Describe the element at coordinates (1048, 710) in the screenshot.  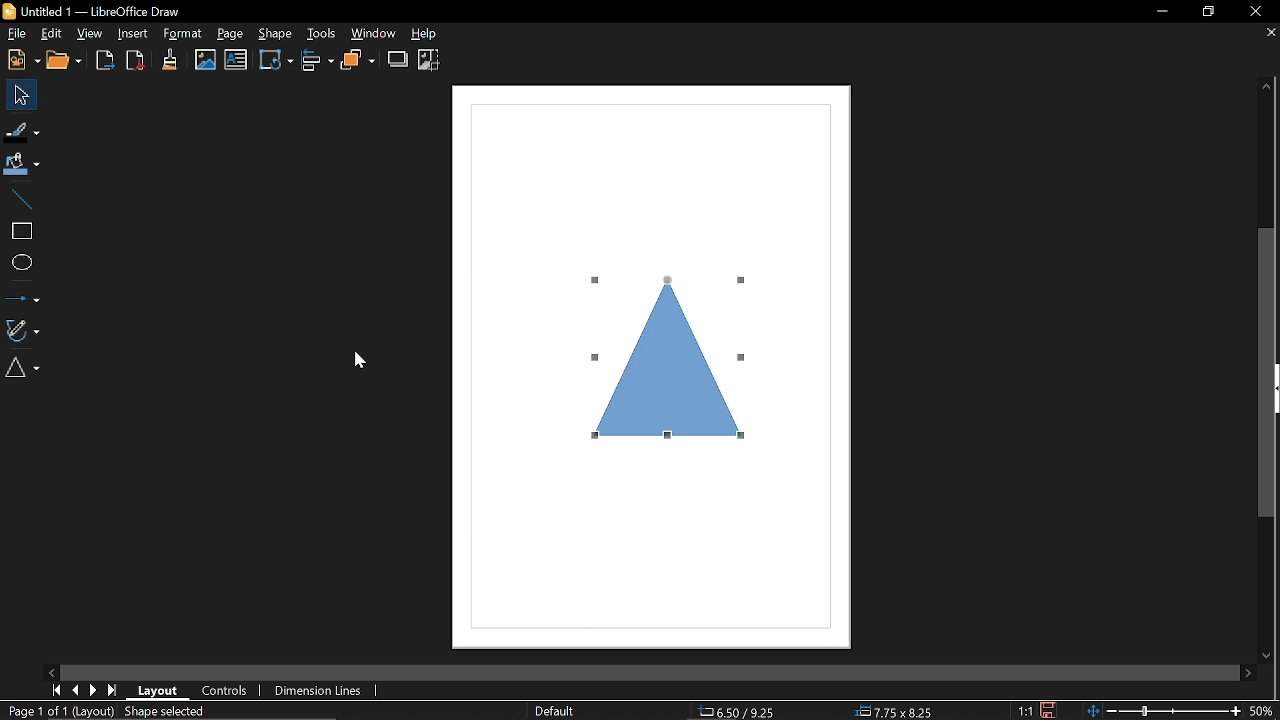
I see `Save` at that location.